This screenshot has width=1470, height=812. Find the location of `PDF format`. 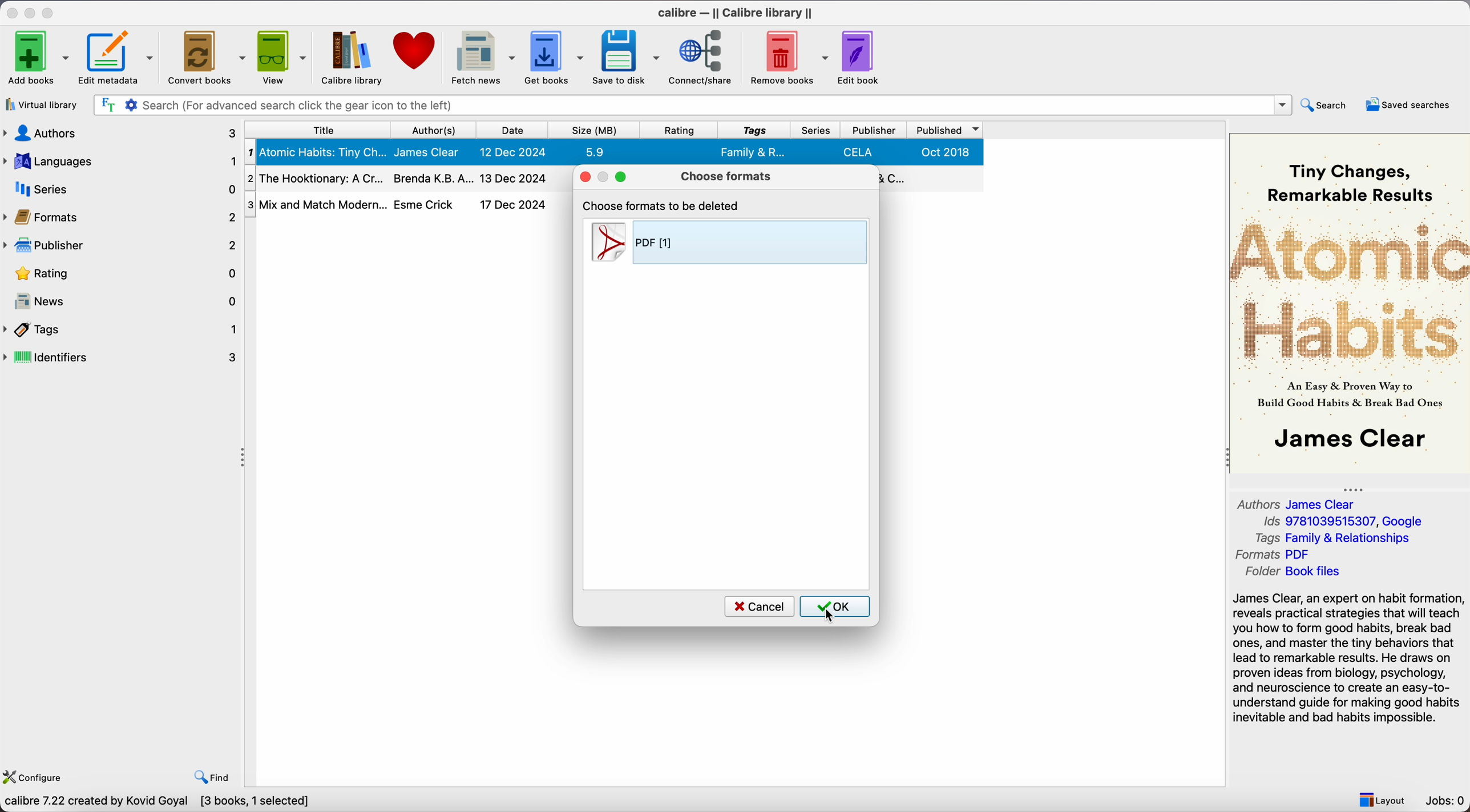

PDF format is located at coordinates (729, 244).